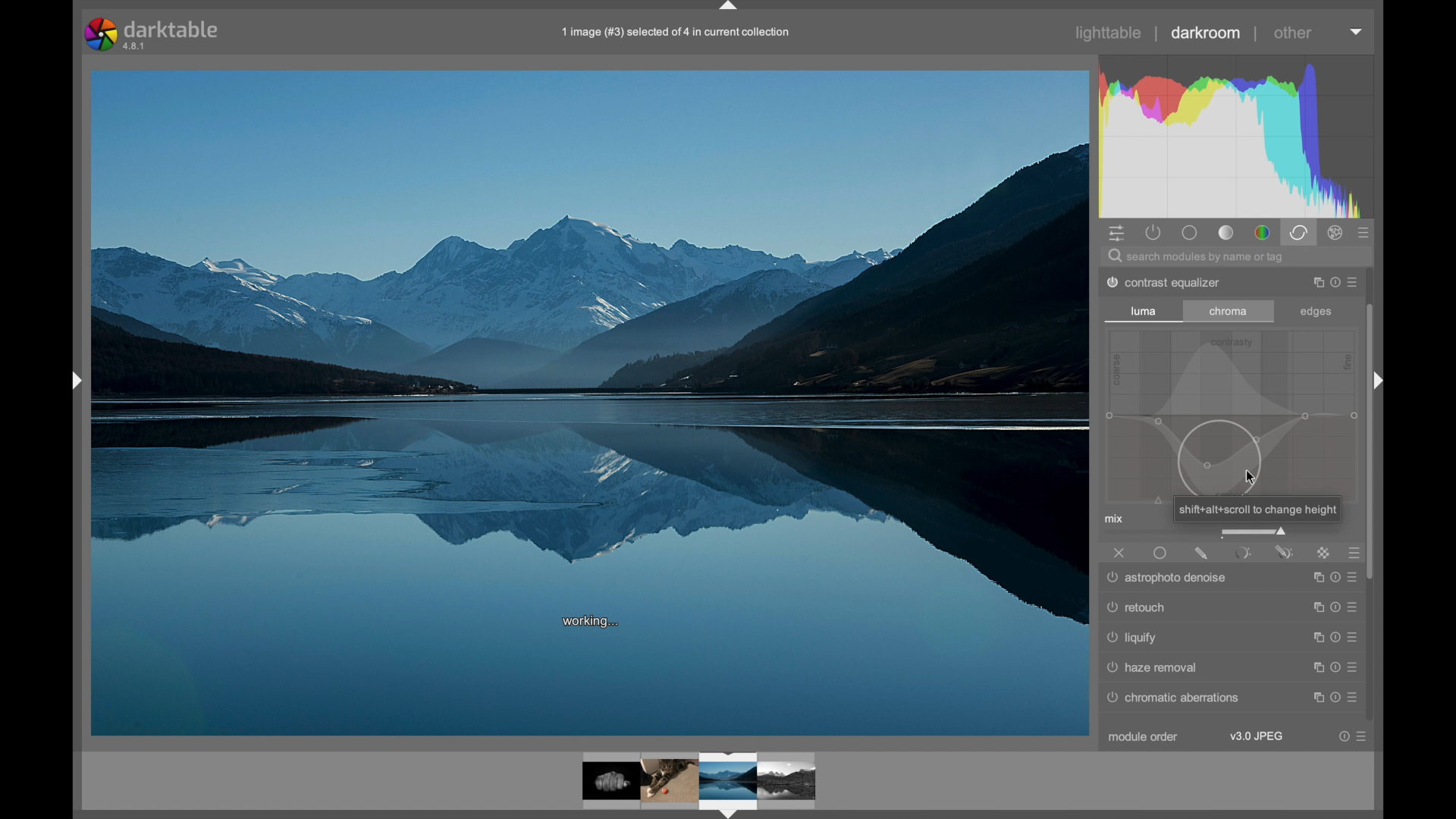 Image resolution: width=1456 pixels, height=819 pixels. What do you see at coordinates (1257, 736) in the screenshot?
I see `v3.0 jpeg` at bounding box center [1257, 736].